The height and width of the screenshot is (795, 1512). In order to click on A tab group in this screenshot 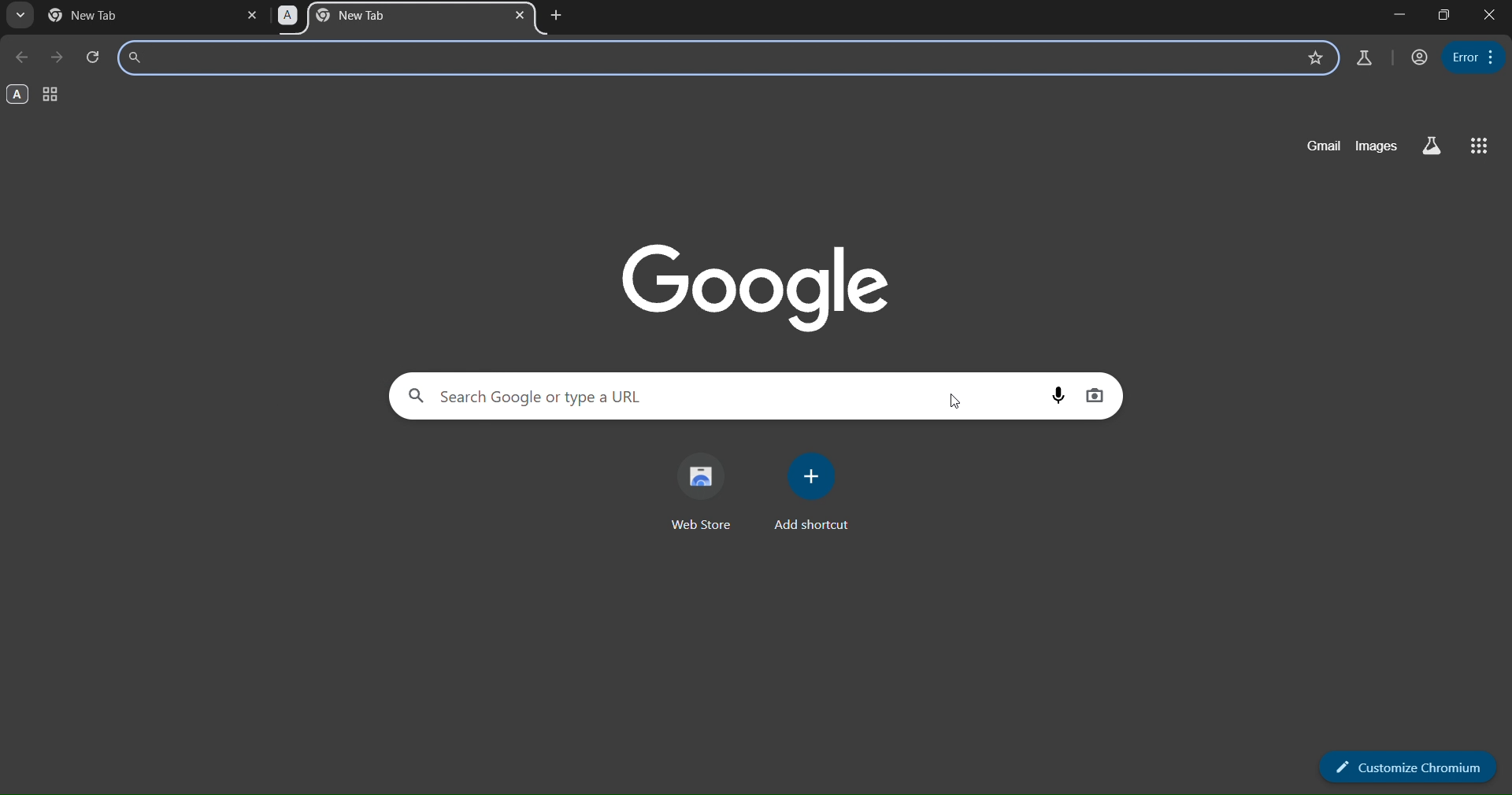, I will do `click(380, 20)`.